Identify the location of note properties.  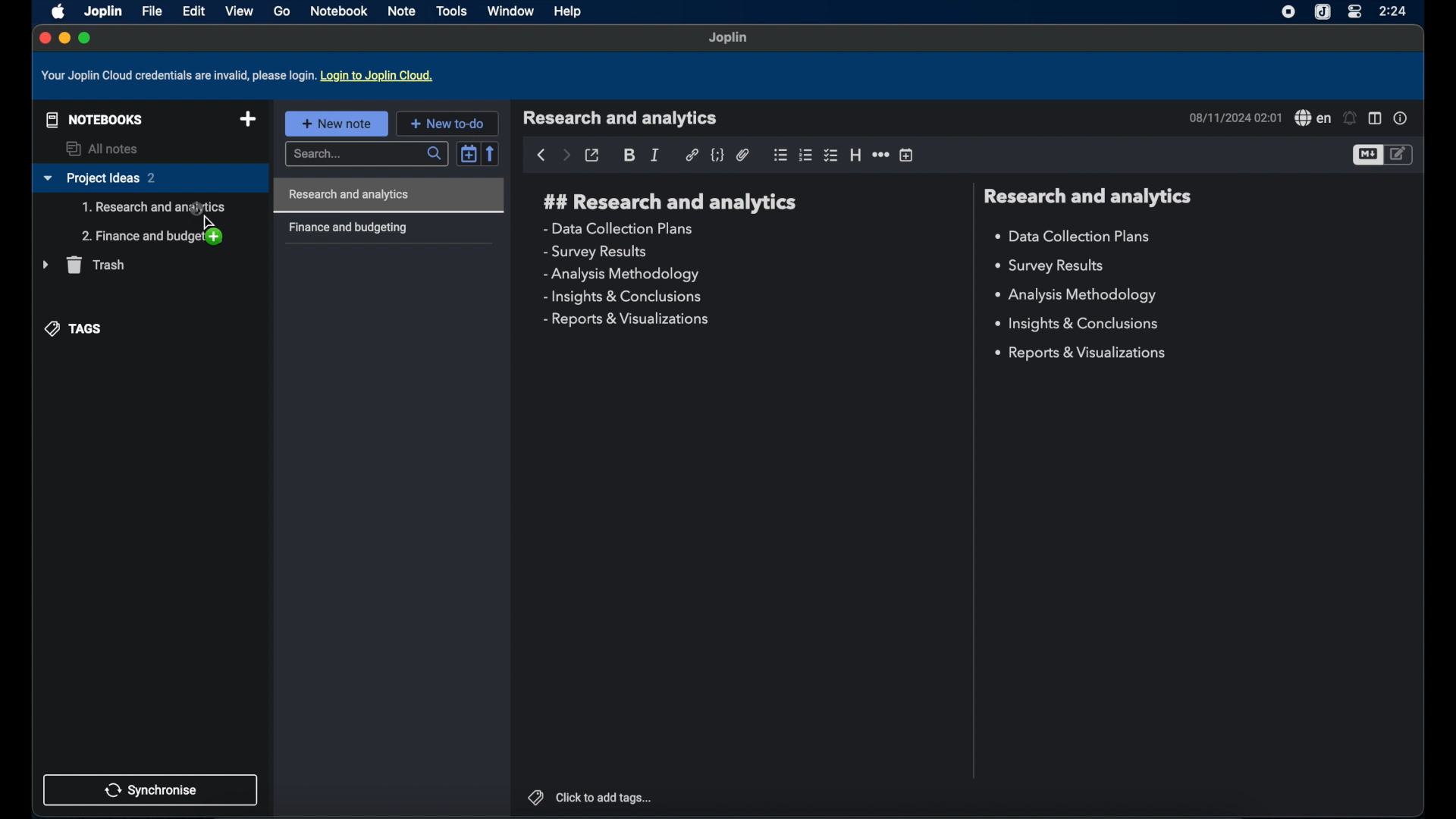
(1401, 118).